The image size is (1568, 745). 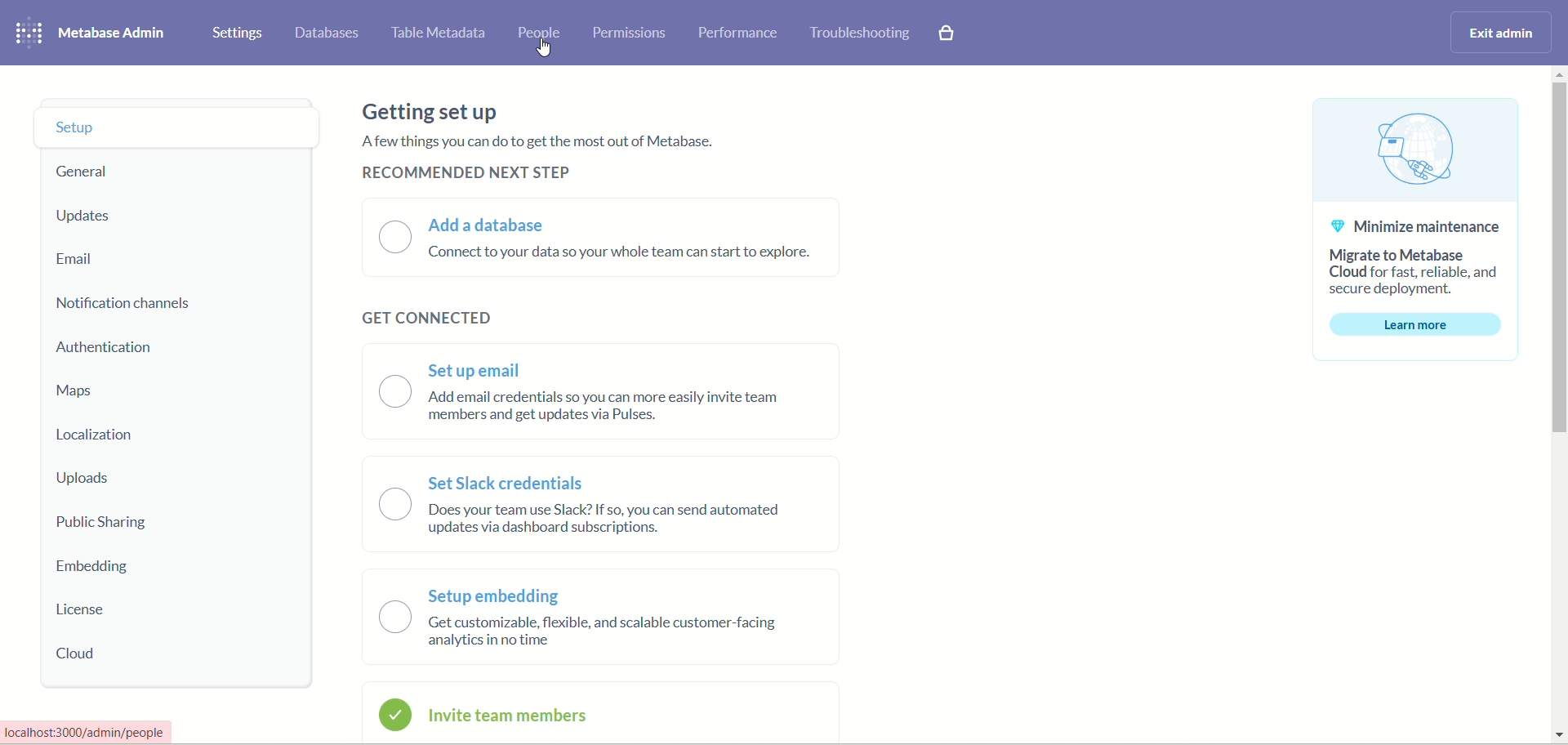 What do you see at coordinates (509, 718) in the screenshot?
I see `invite team members` at bounding box center [509, 718].